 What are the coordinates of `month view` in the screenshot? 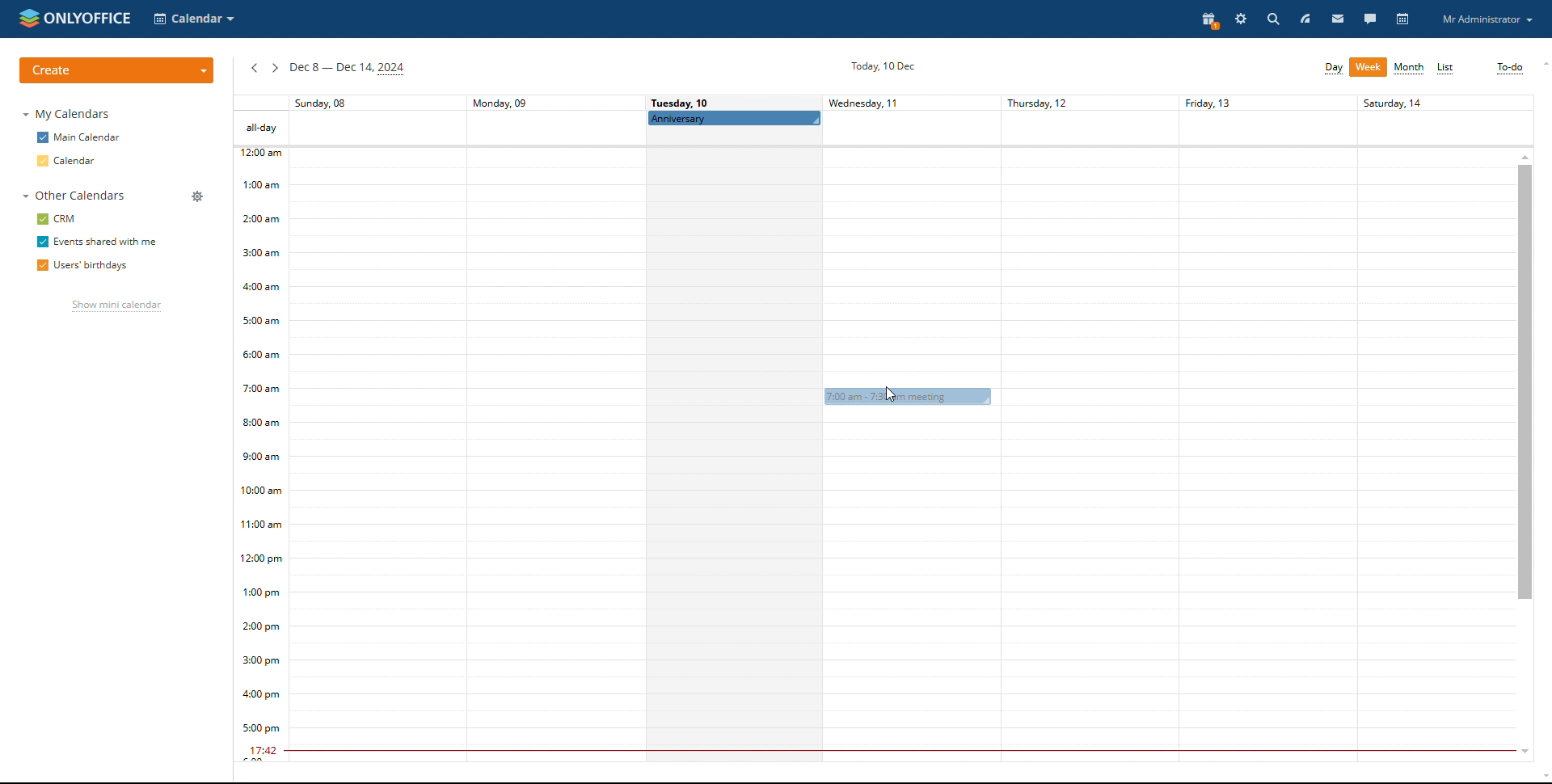 It's located at (1410, 68).